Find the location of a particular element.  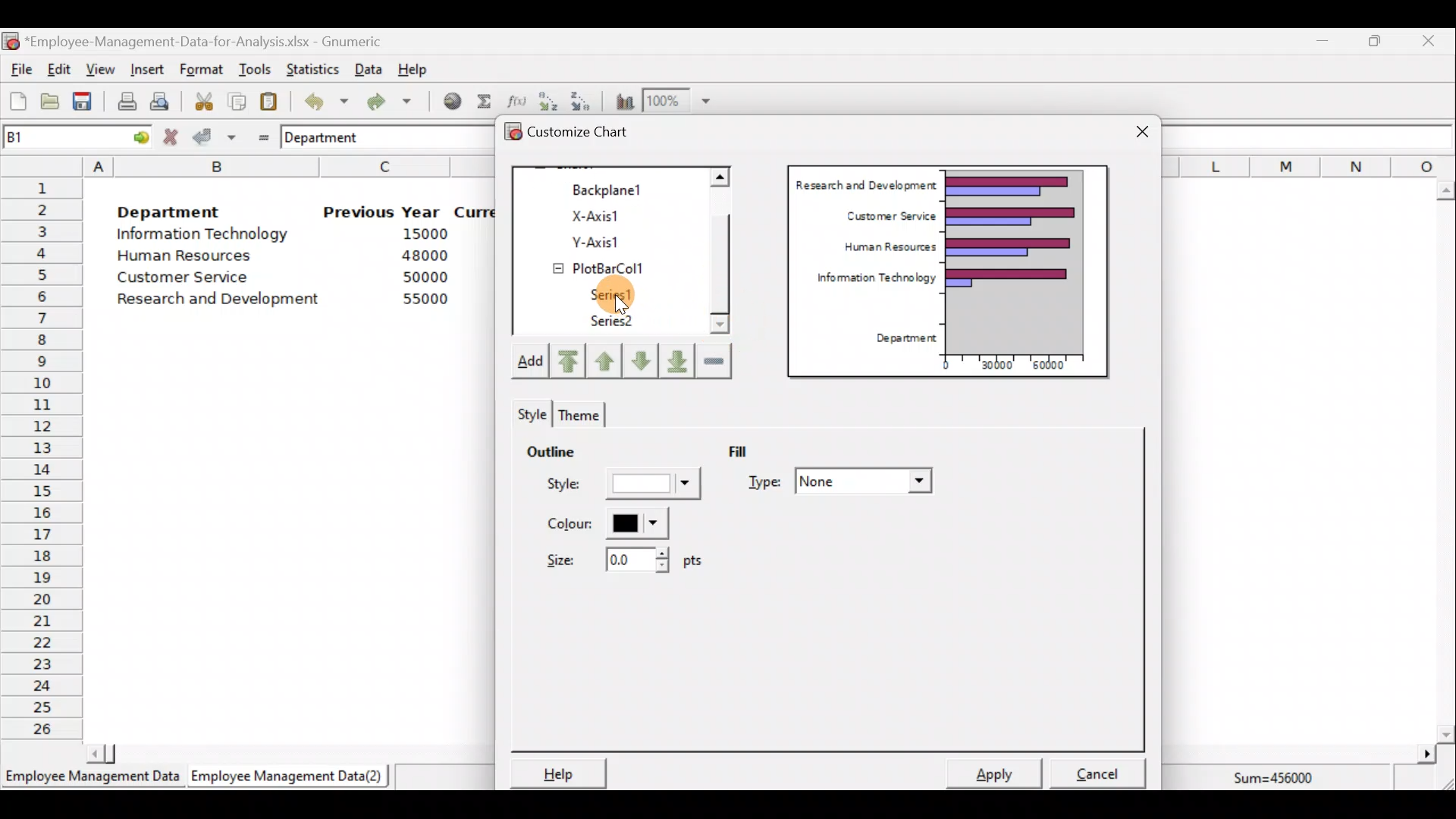

Sum into the current cell is located at coordinates (482, 101).